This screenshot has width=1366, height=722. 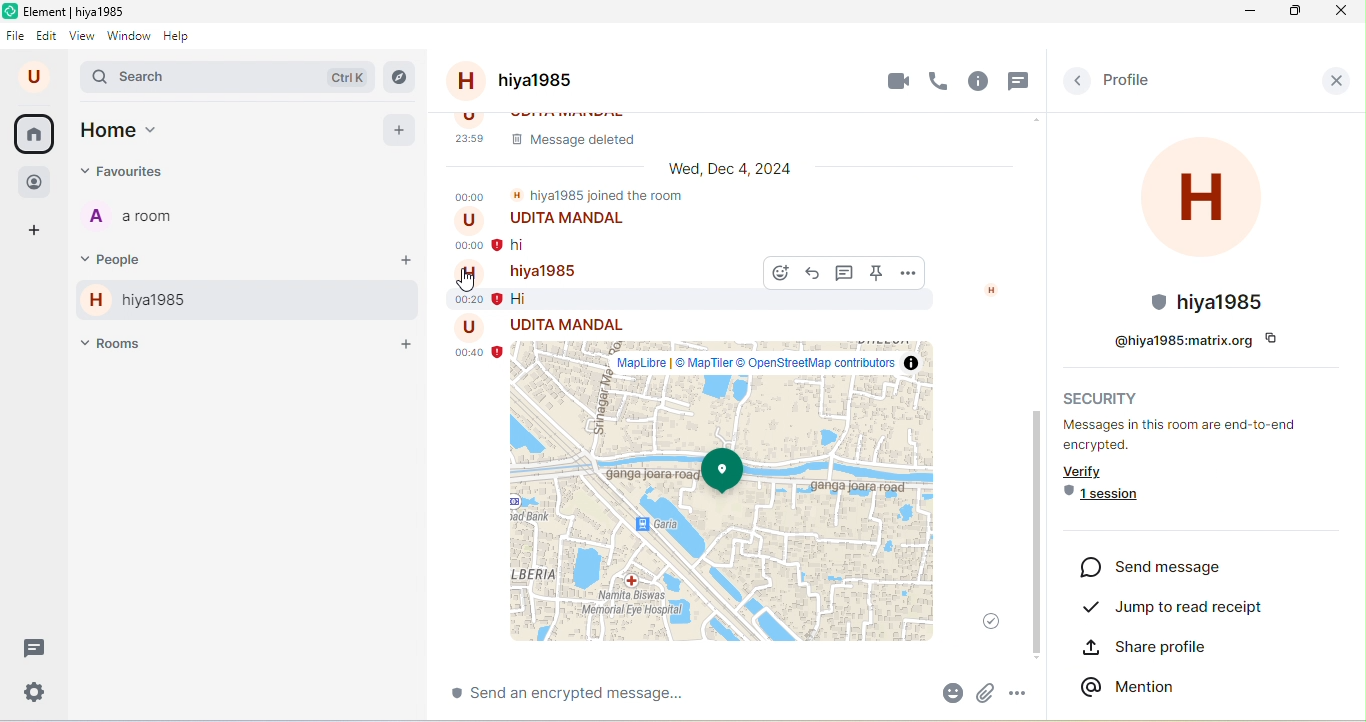 What do you see at coordinates (464, 283) in the screenshot?
I see `cursor` at bounding box center [464, 283].